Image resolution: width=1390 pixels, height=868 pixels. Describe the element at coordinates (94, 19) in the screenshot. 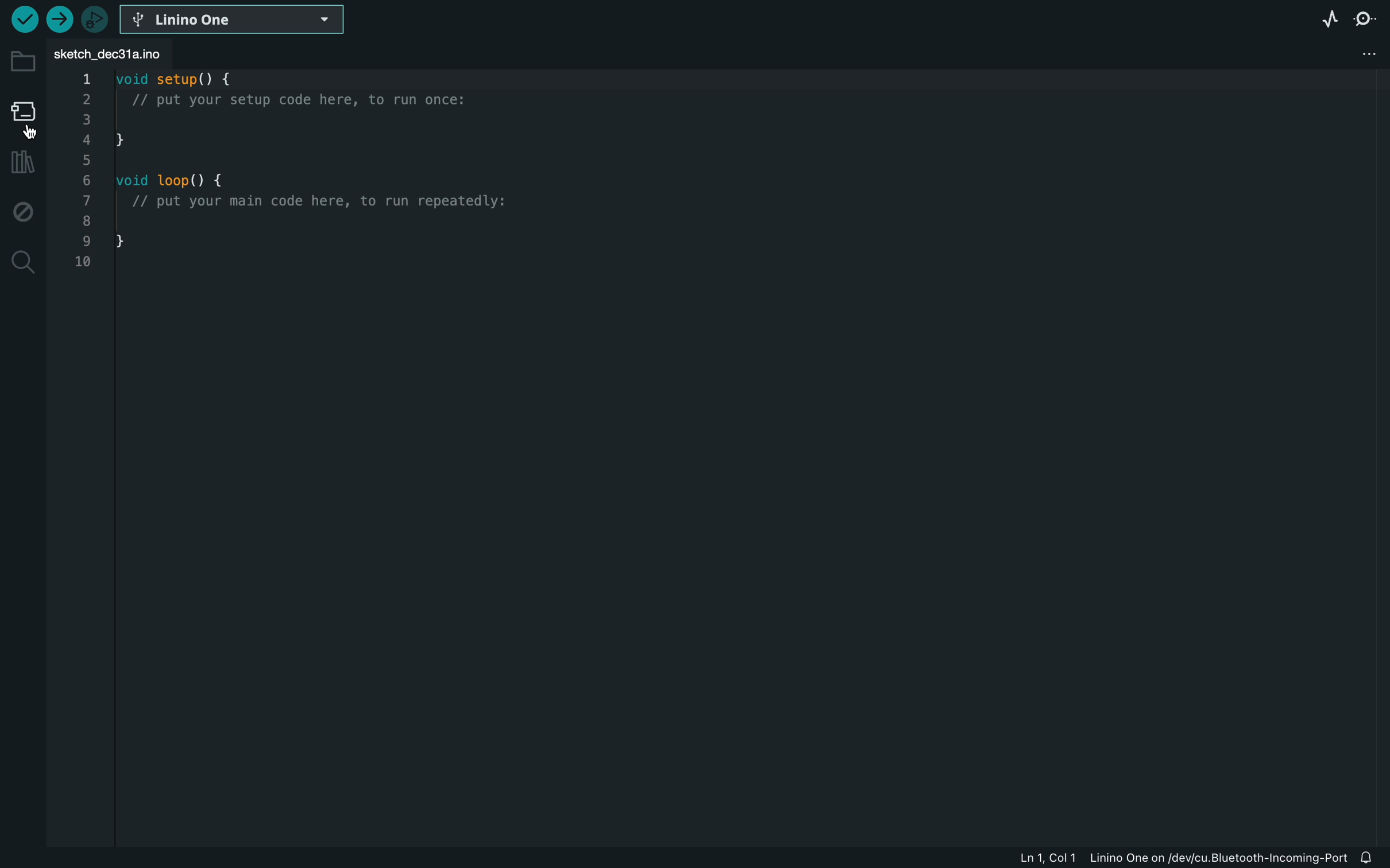

I see `debugger` at that location.